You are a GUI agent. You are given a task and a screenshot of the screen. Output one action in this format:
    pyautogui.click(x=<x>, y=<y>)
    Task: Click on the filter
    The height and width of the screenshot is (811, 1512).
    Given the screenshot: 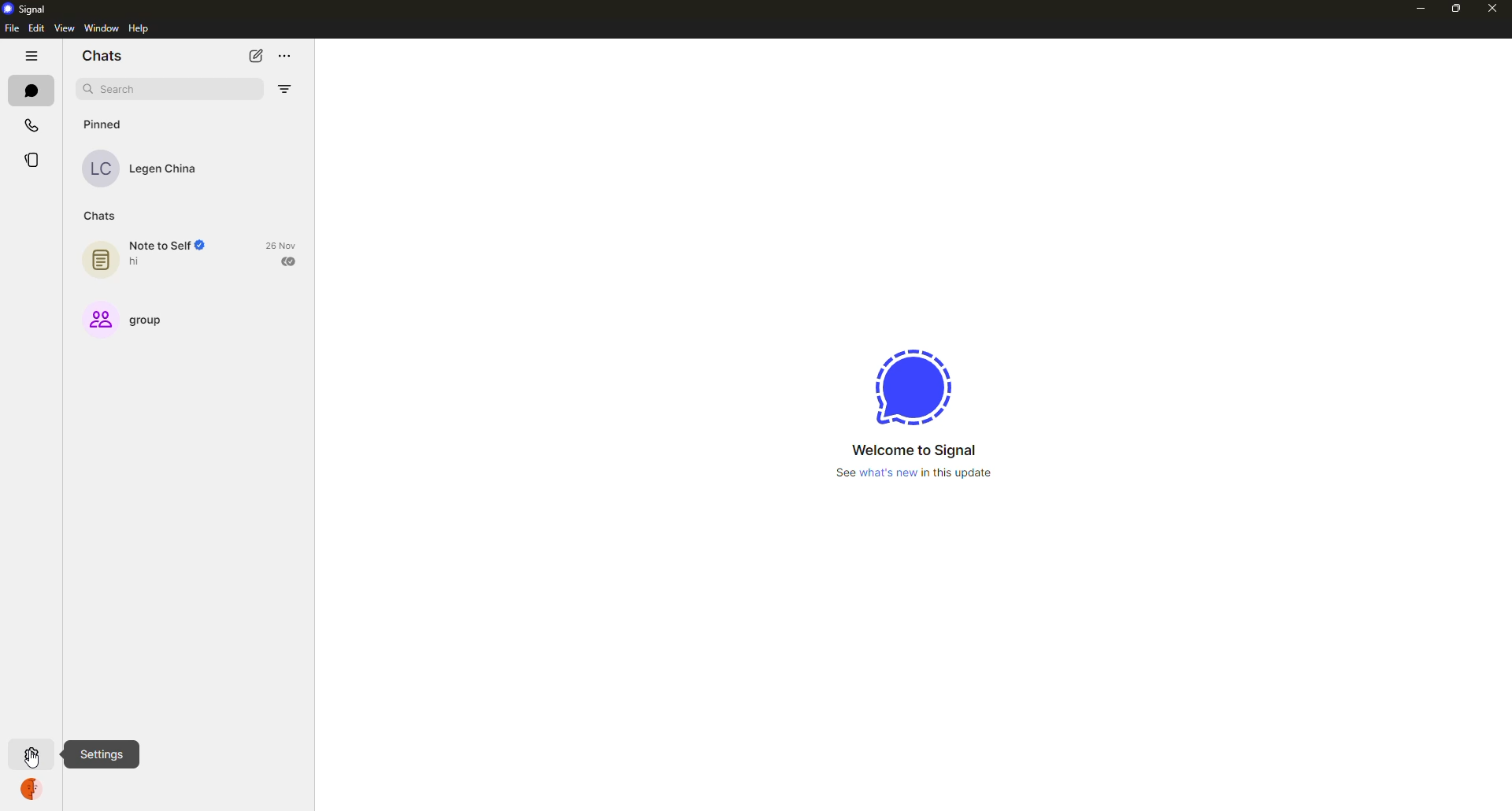 What is the action you would take?
    pyautogui.click(x=287, y=89)
    